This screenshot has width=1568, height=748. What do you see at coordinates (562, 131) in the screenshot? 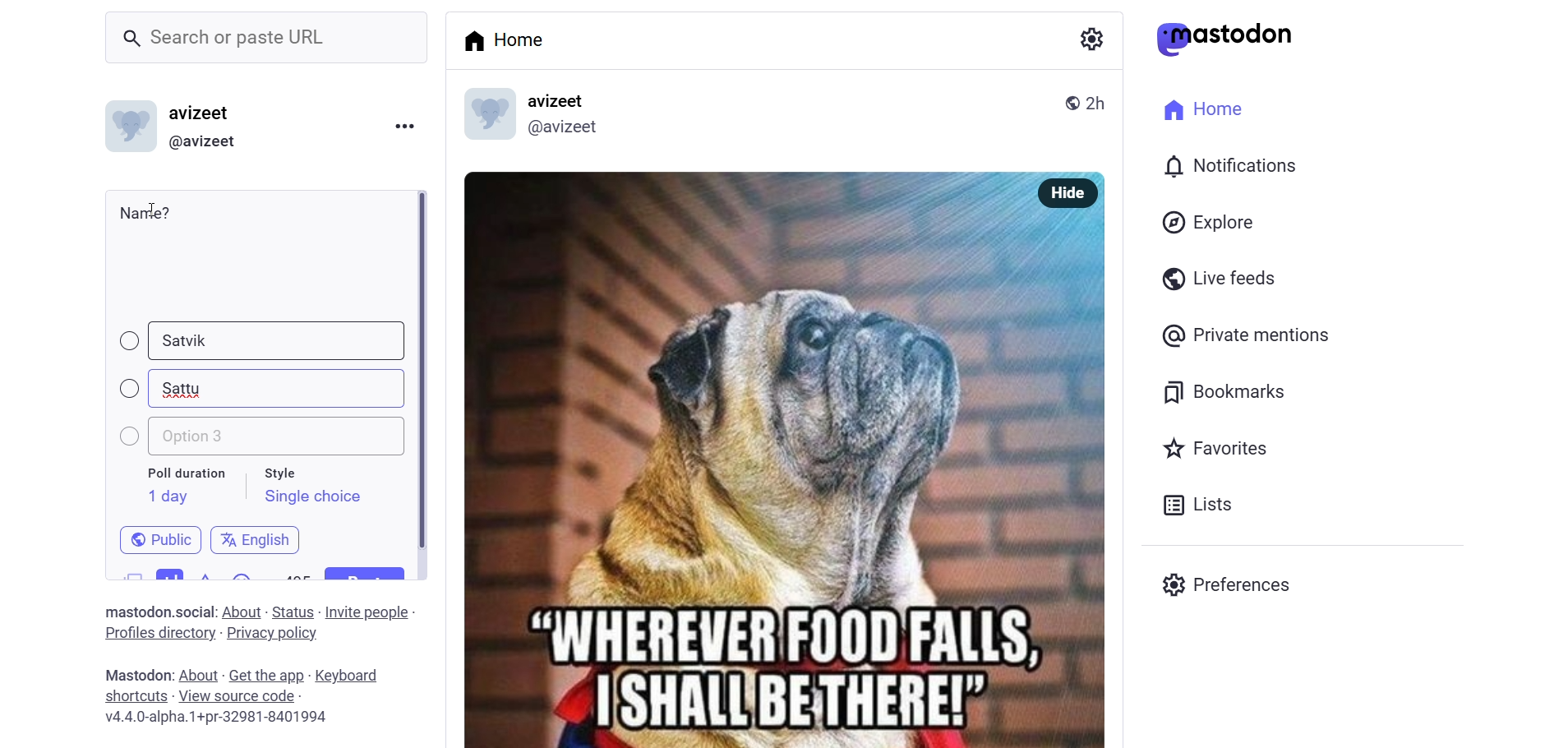
I see `@avizeet` at bounding box center [562, 131].